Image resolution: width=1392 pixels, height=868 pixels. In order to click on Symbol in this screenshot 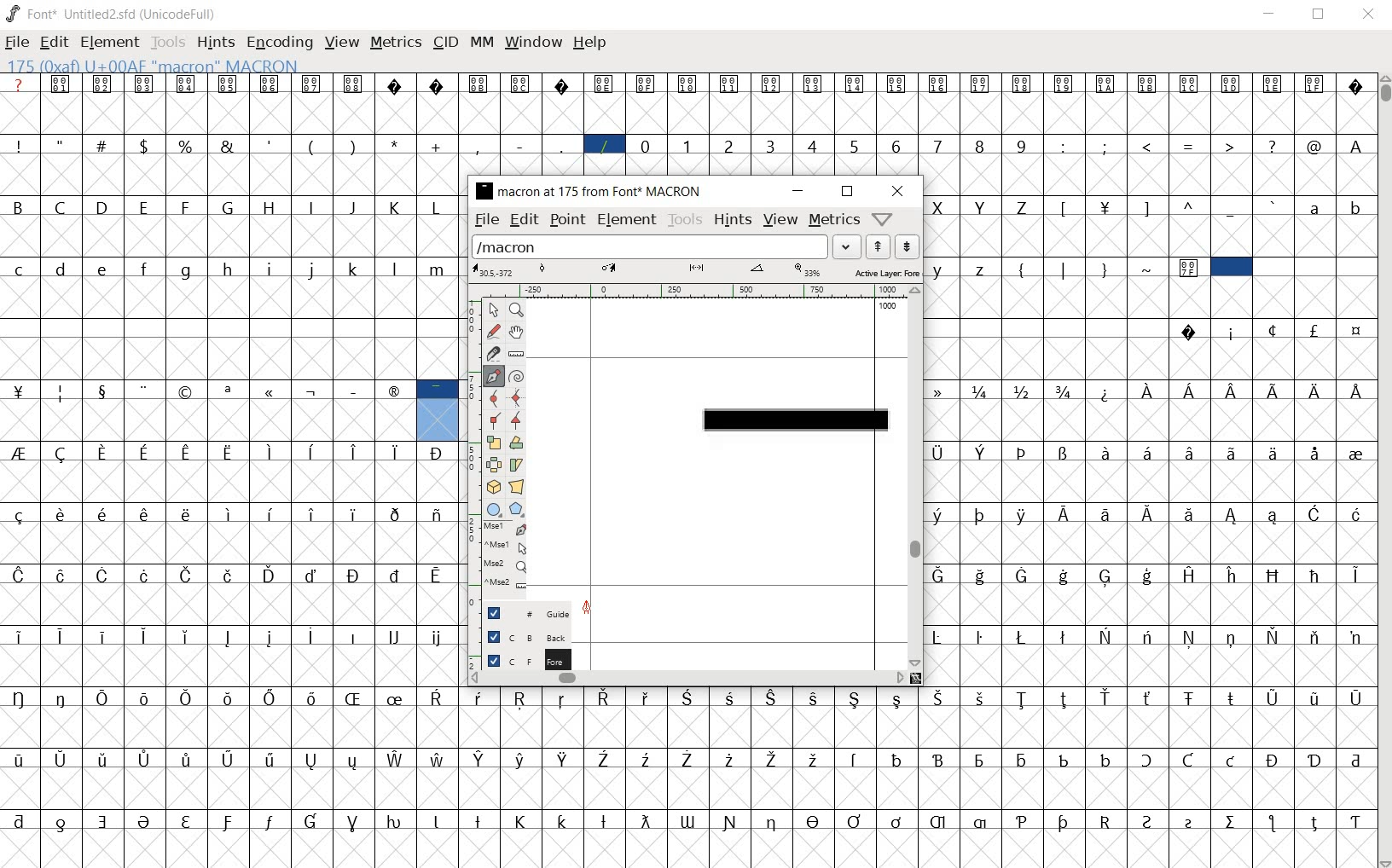, I will do `click(395, 85)`.